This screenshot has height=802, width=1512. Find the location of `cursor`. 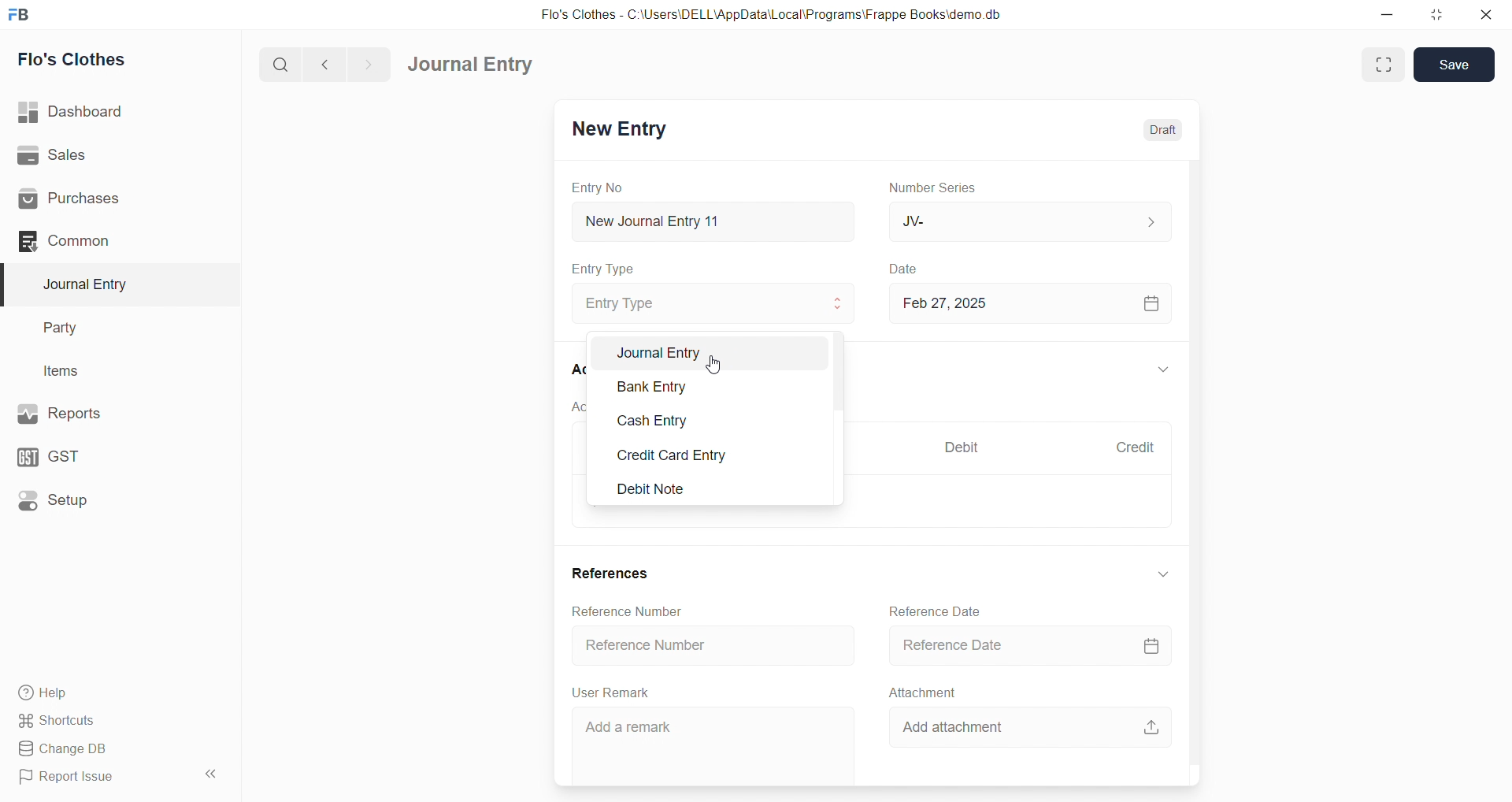

cursor is located at coordinates (718, 366).